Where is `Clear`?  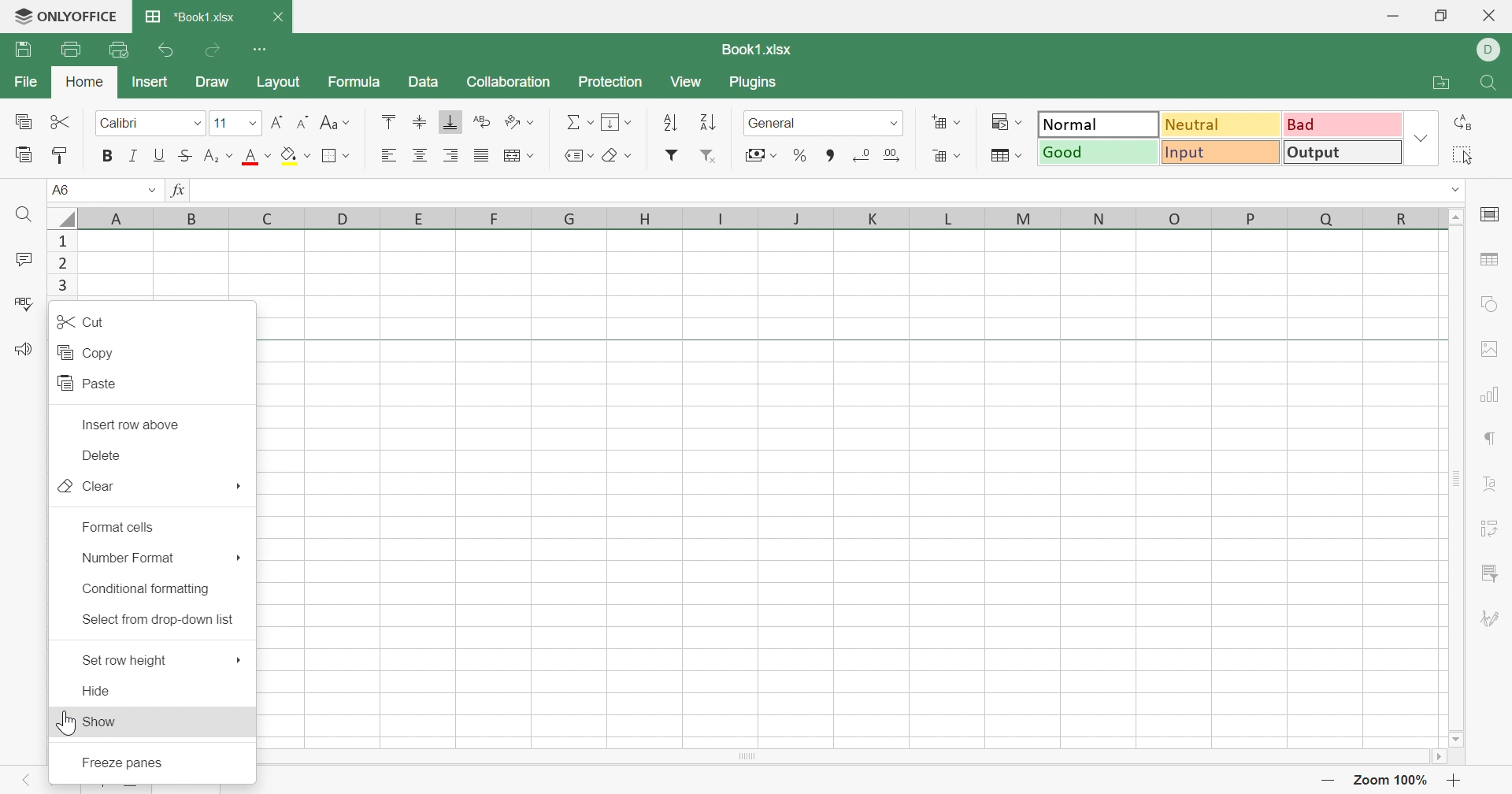
Clear is located at coordinates (620, 156).